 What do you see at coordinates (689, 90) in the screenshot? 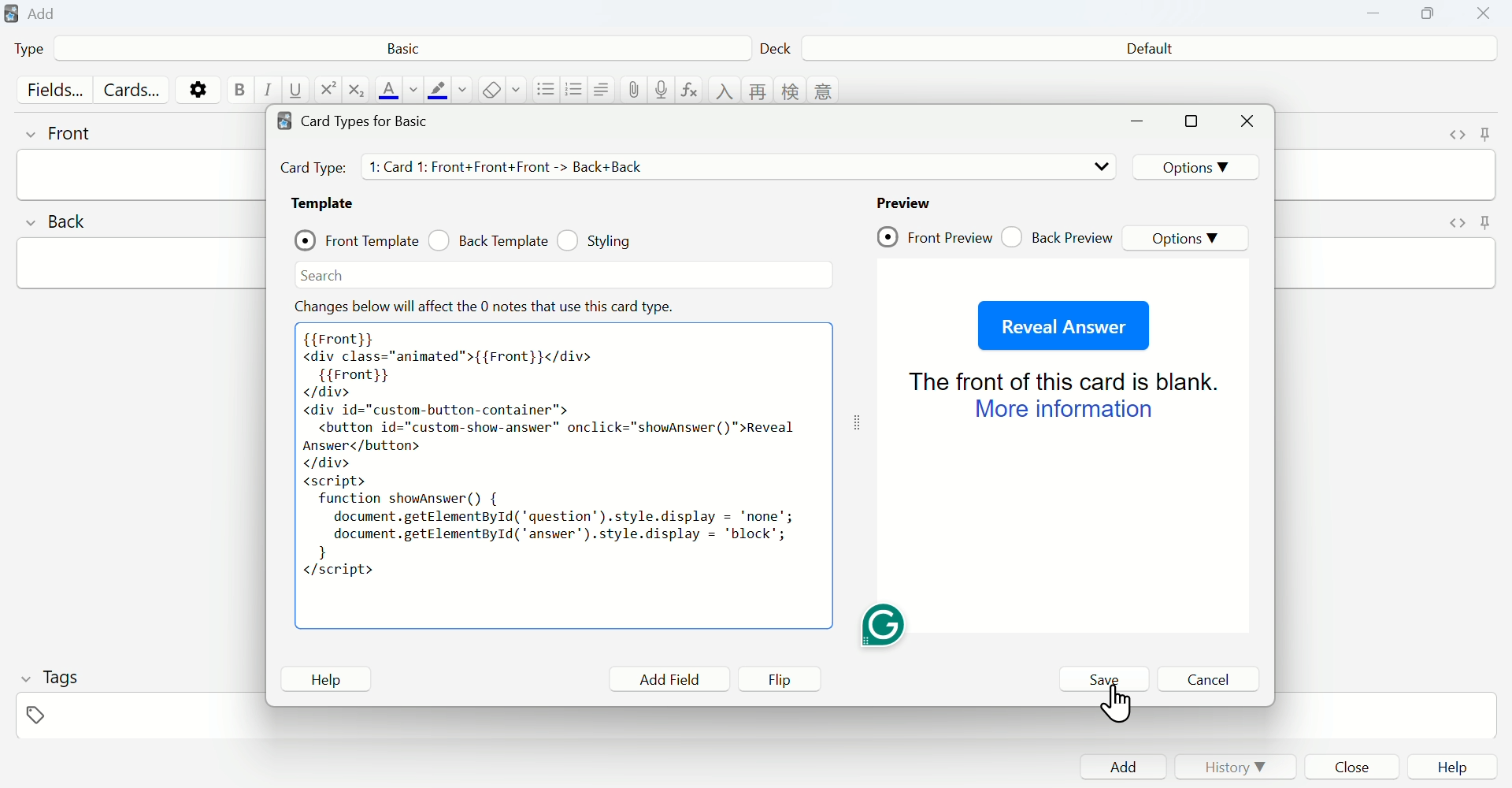
I see `equations` at bounding box center [689, 90].